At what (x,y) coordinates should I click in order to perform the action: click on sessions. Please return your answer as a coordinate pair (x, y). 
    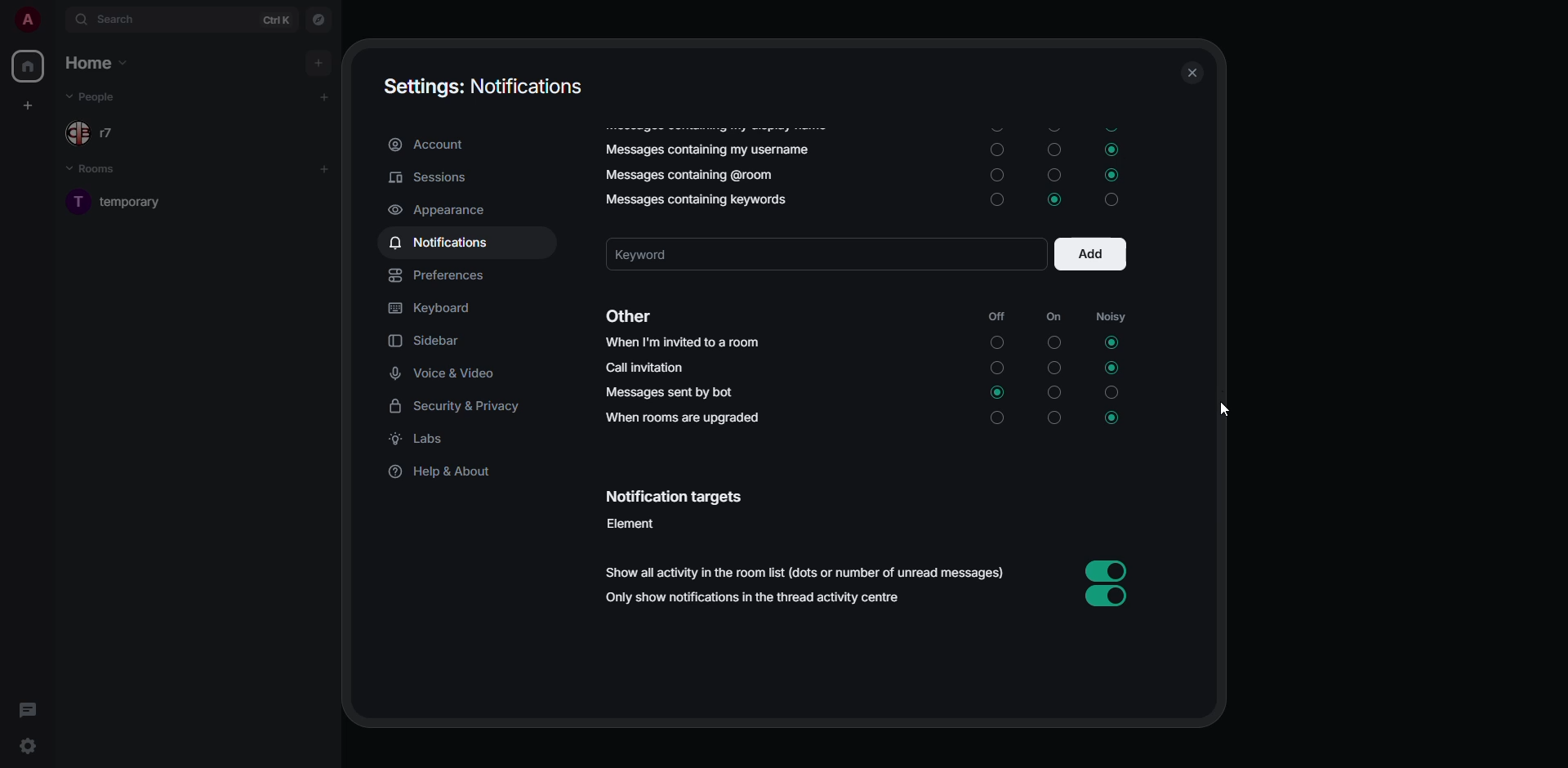
    Looking at the image, I should click on (427, 176).